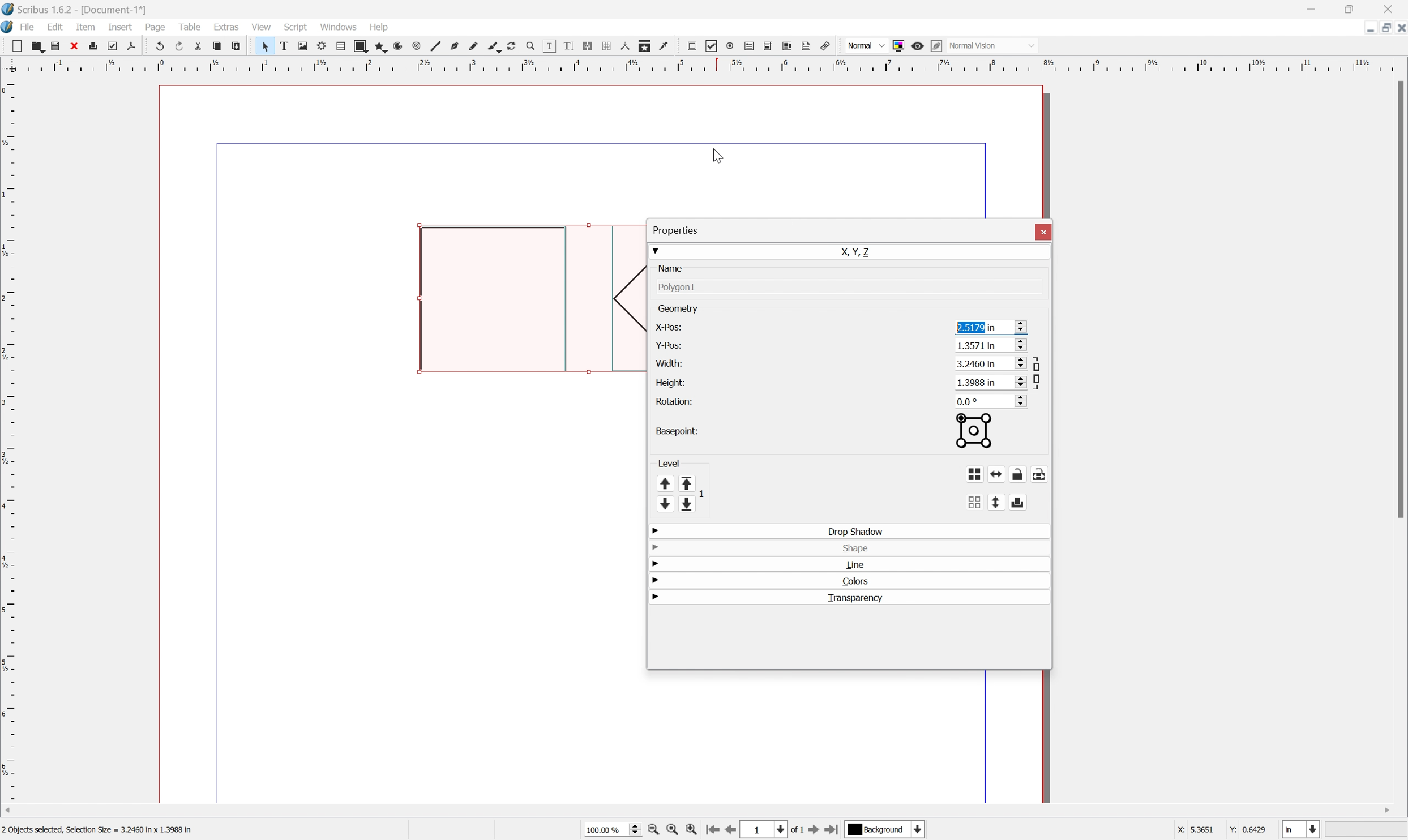 The image size is (1408, 840). Describe the element at coordinates (71, 47) in the screenshot. I see `close` at that location.